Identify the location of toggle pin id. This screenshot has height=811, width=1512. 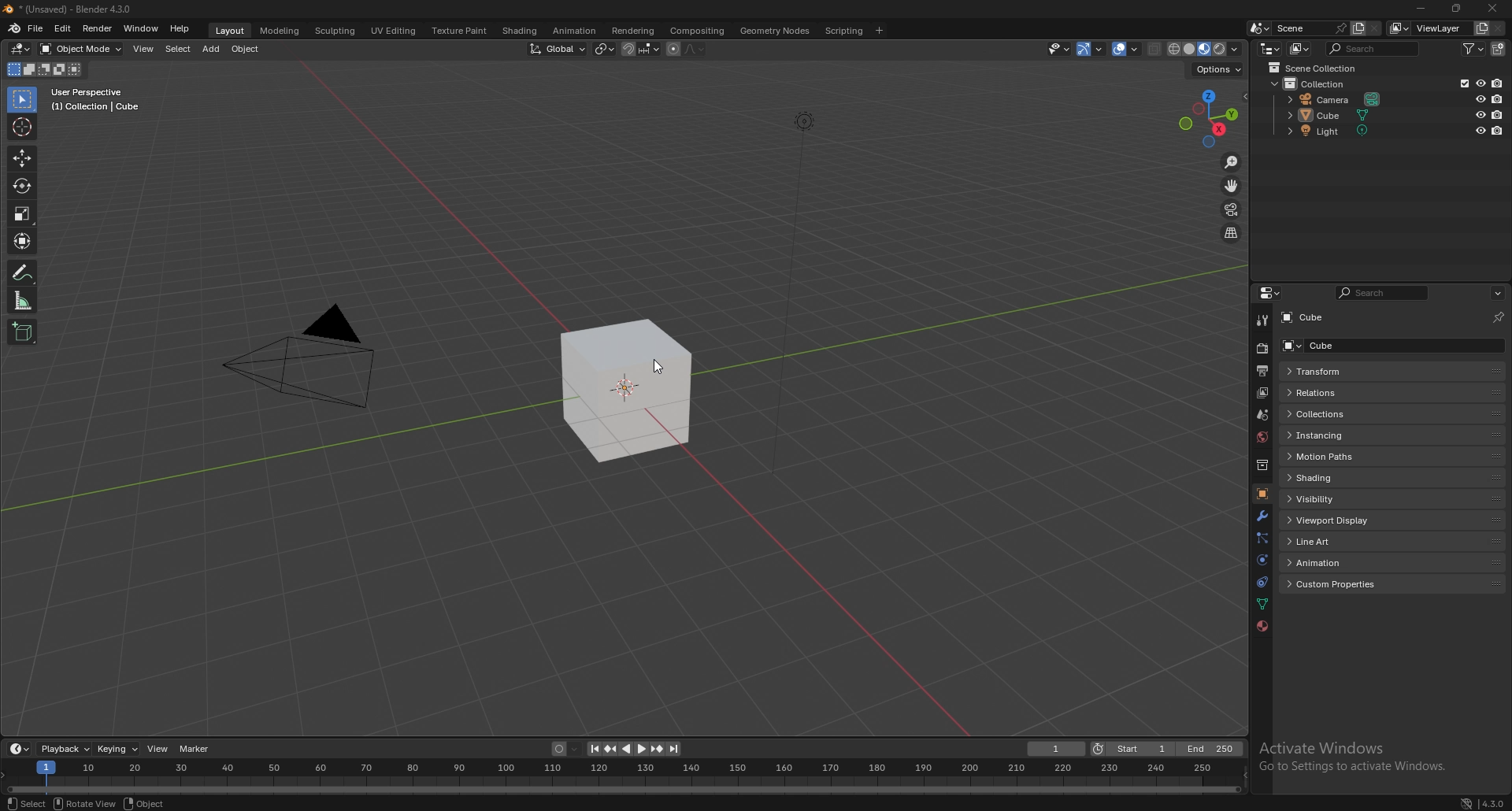
(1499, 316).